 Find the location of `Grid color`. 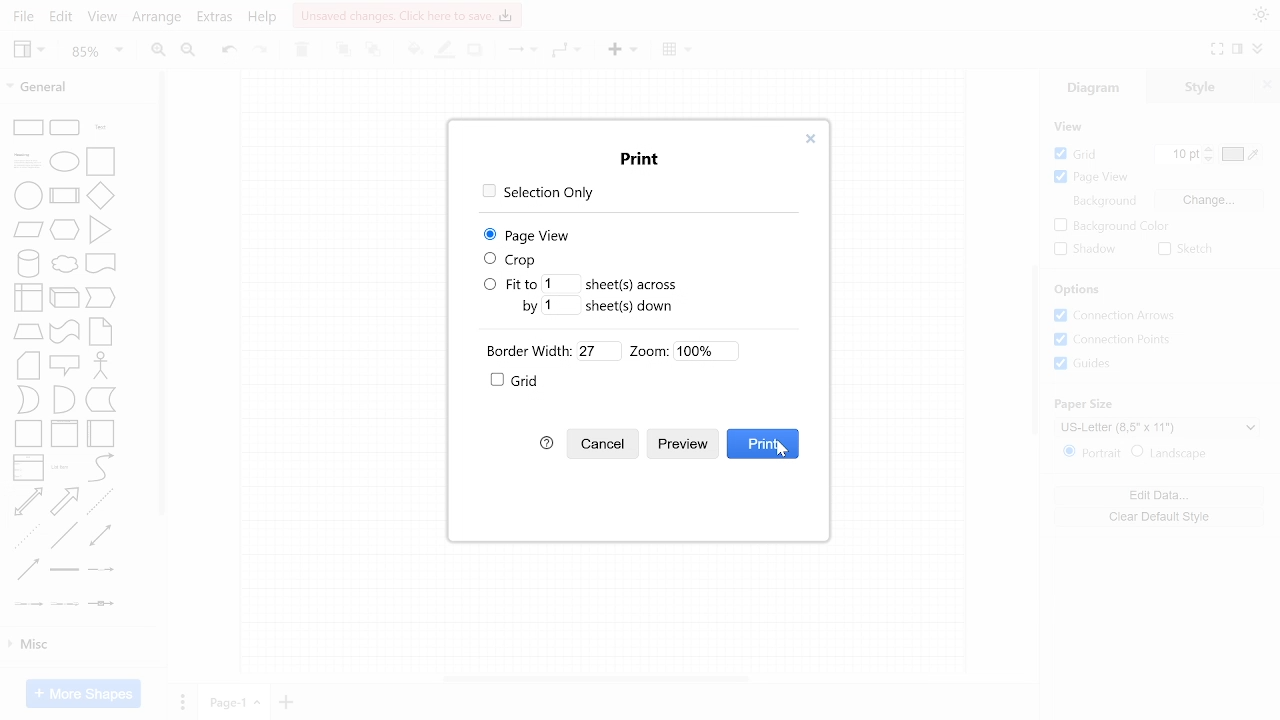

Grid color is located at coordinates (1240, 154).